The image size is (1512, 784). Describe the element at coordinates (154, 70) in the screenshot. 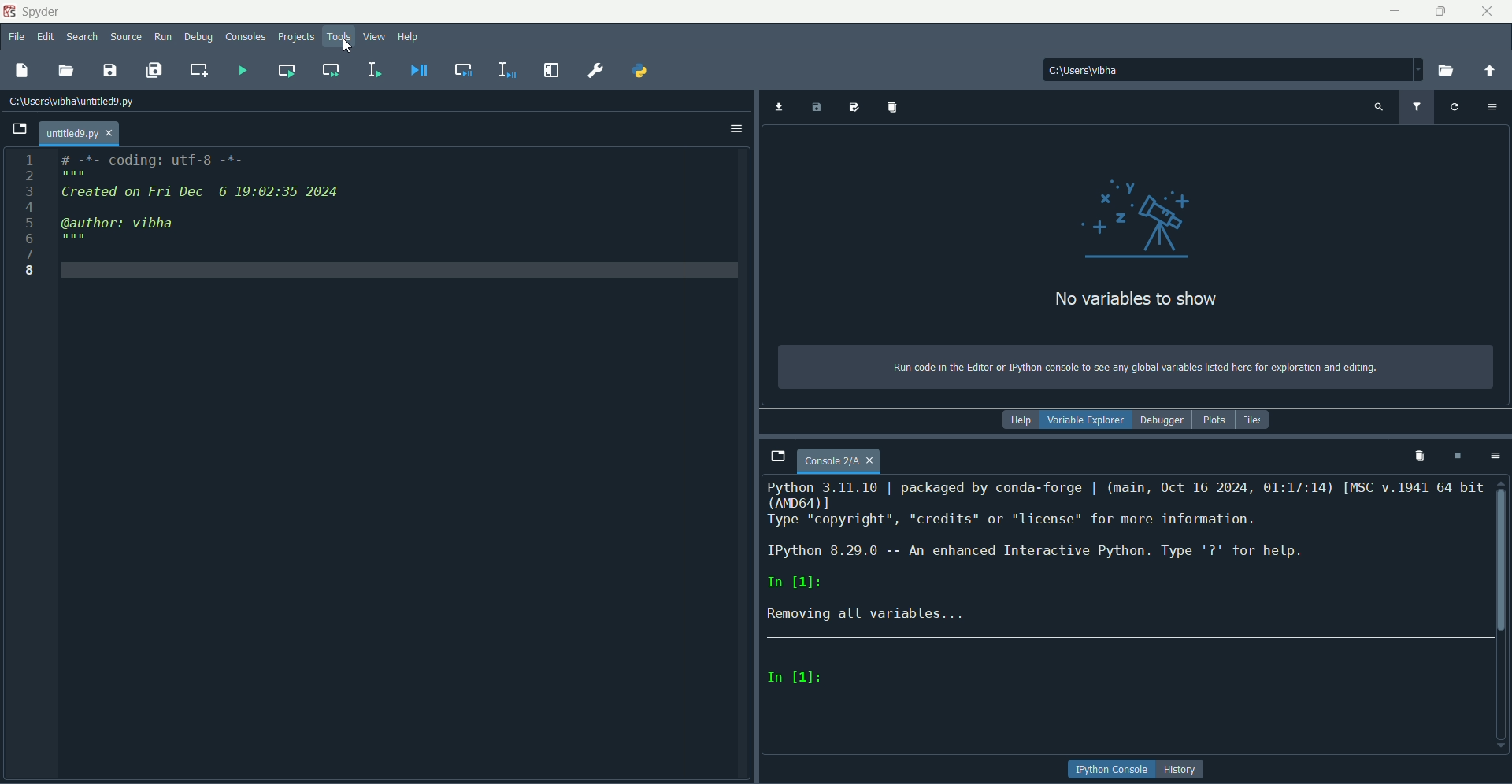

I see `save all` at that location.